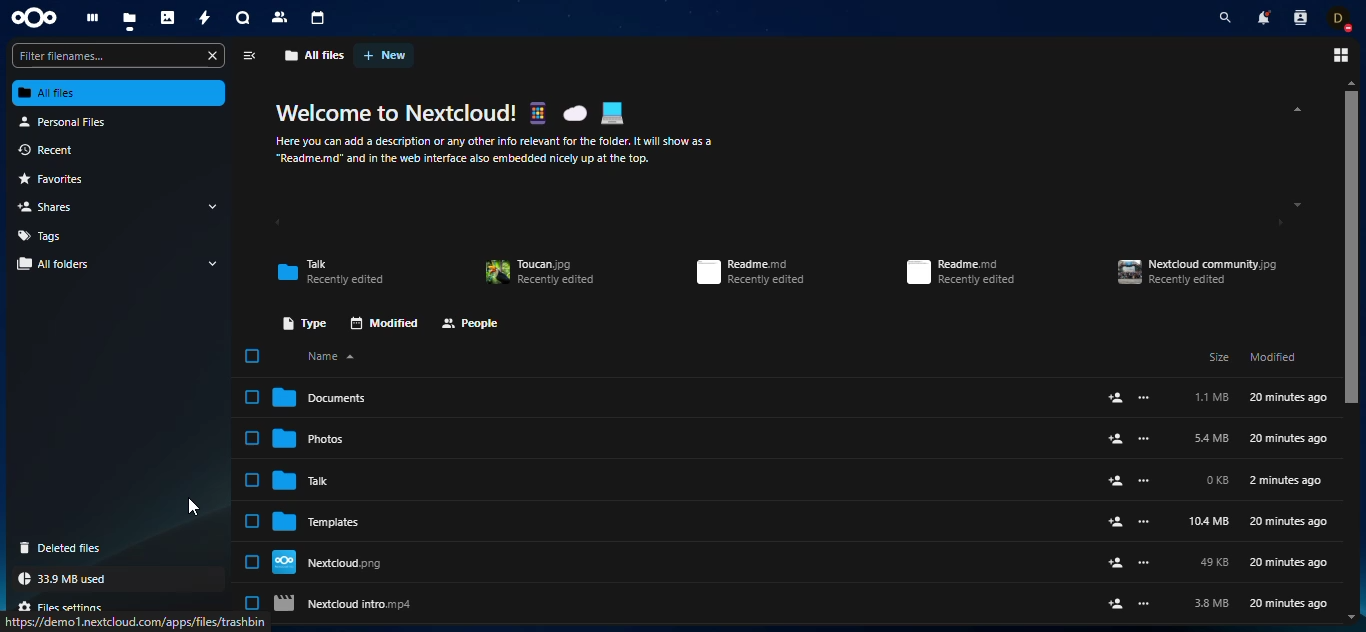 The image size is (1366, 632). Describe the element at coordinates (317, 55) in the screenshot. I see `All files` at that location.